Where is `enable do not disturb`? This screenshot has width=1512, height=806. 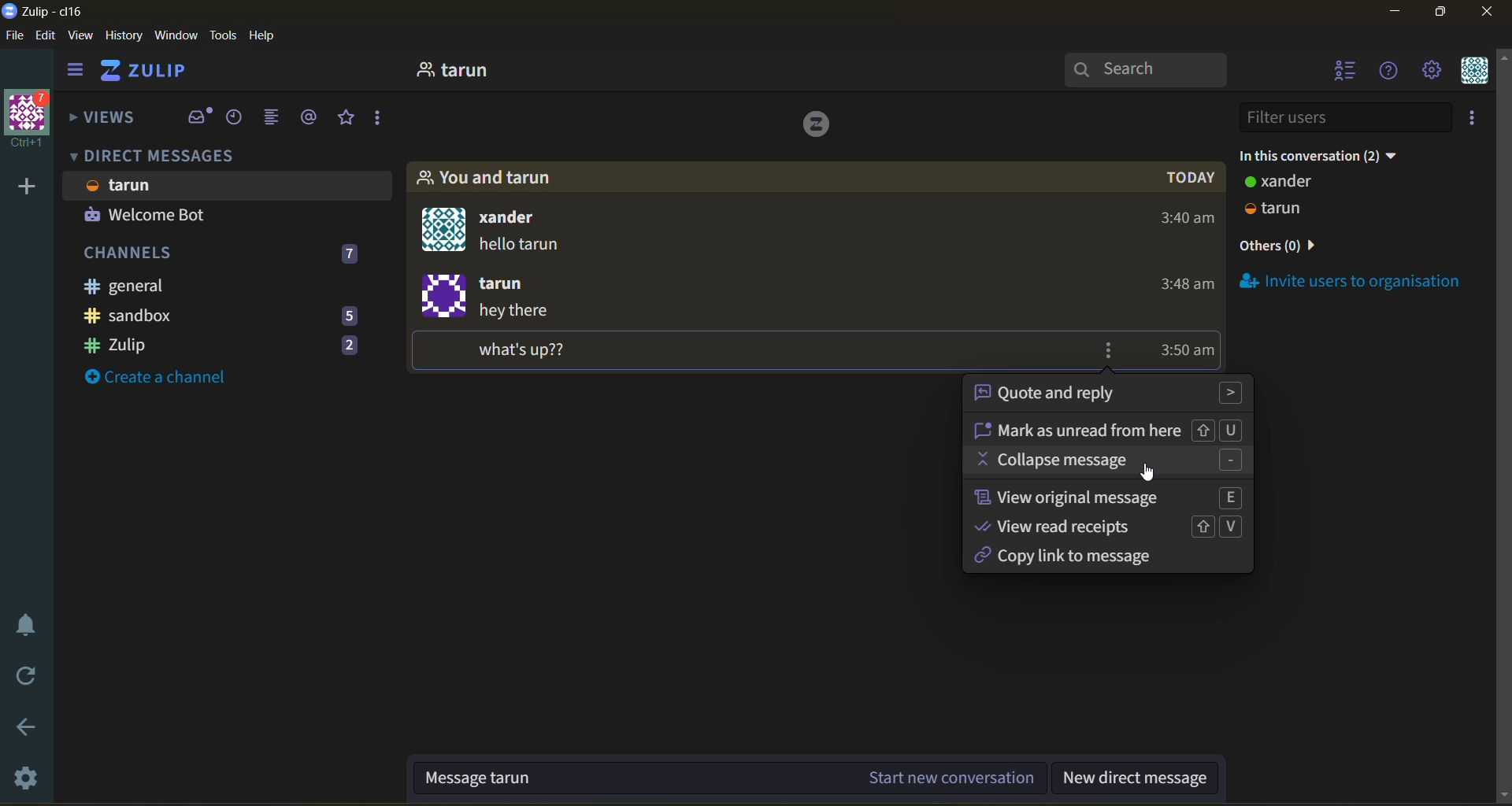
enable do not disturb is located at coordinates (24, 625).